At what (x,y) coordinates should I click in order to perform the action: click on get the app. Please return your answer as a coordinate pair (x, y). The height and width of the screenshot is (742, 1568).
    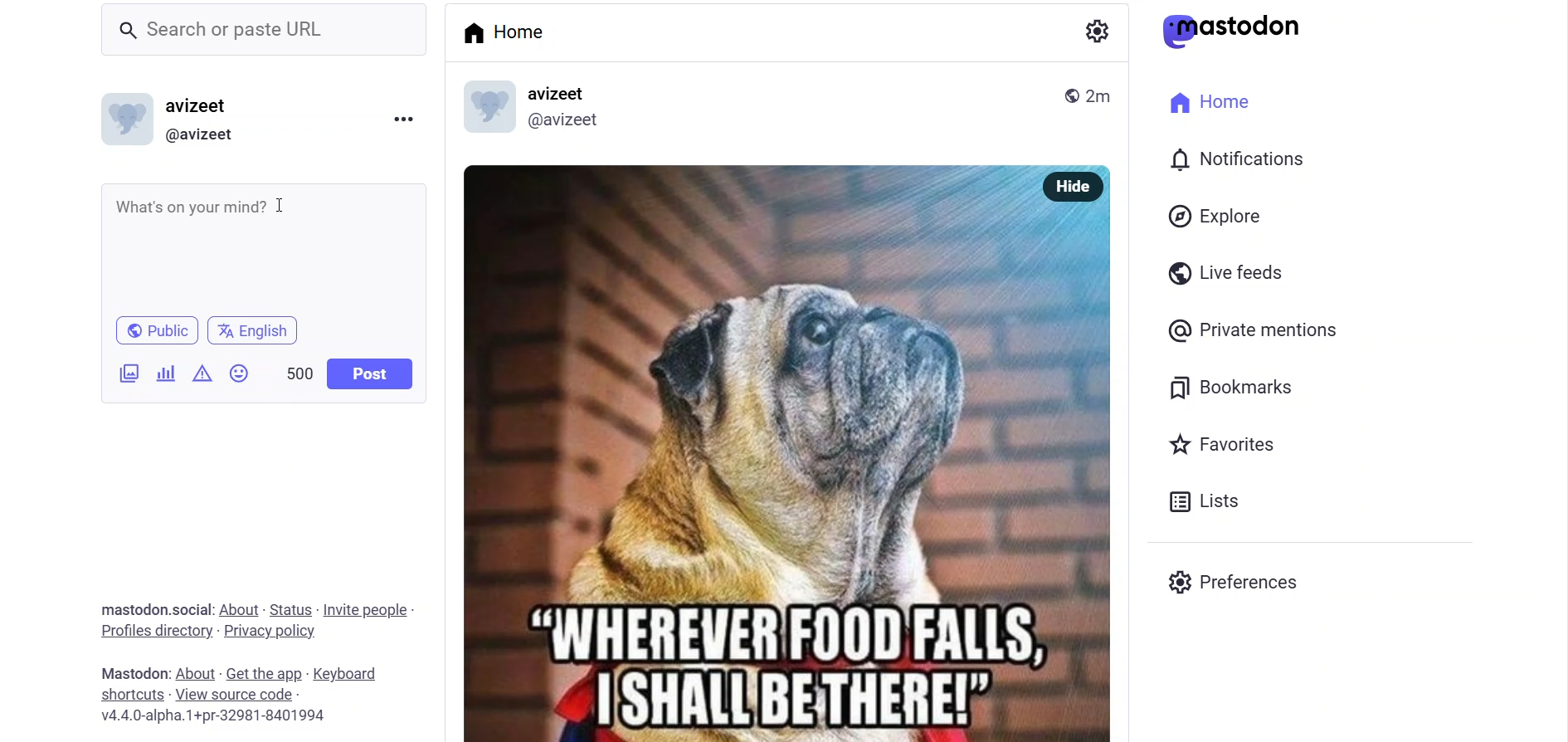
    Looking at the image, I should click on (261, 672).